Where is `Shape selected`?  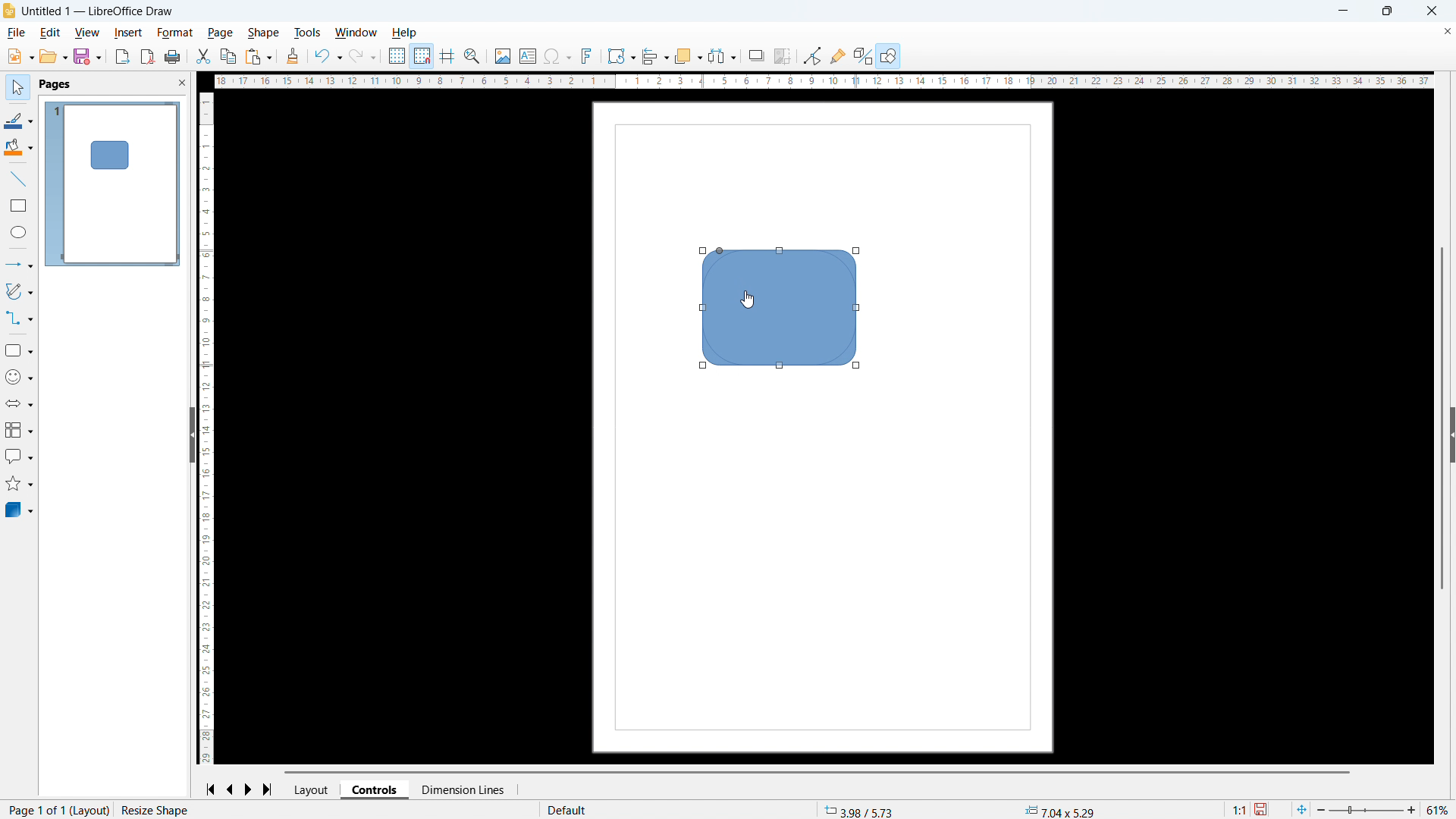
Shape selected is located at coordinates (162, 810).